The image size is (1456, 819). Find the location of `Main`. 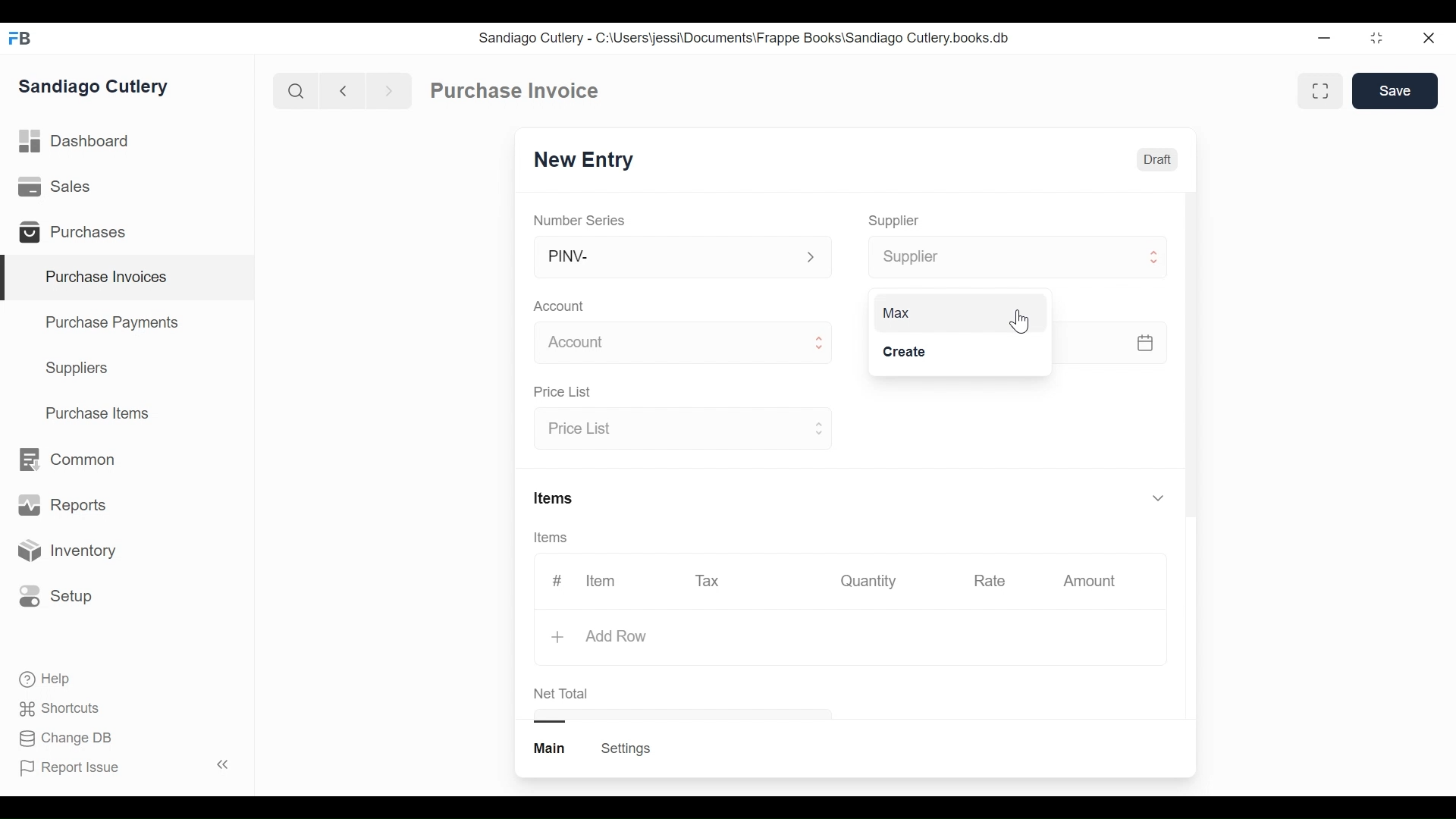

Main is located at coordinates (551, 747).